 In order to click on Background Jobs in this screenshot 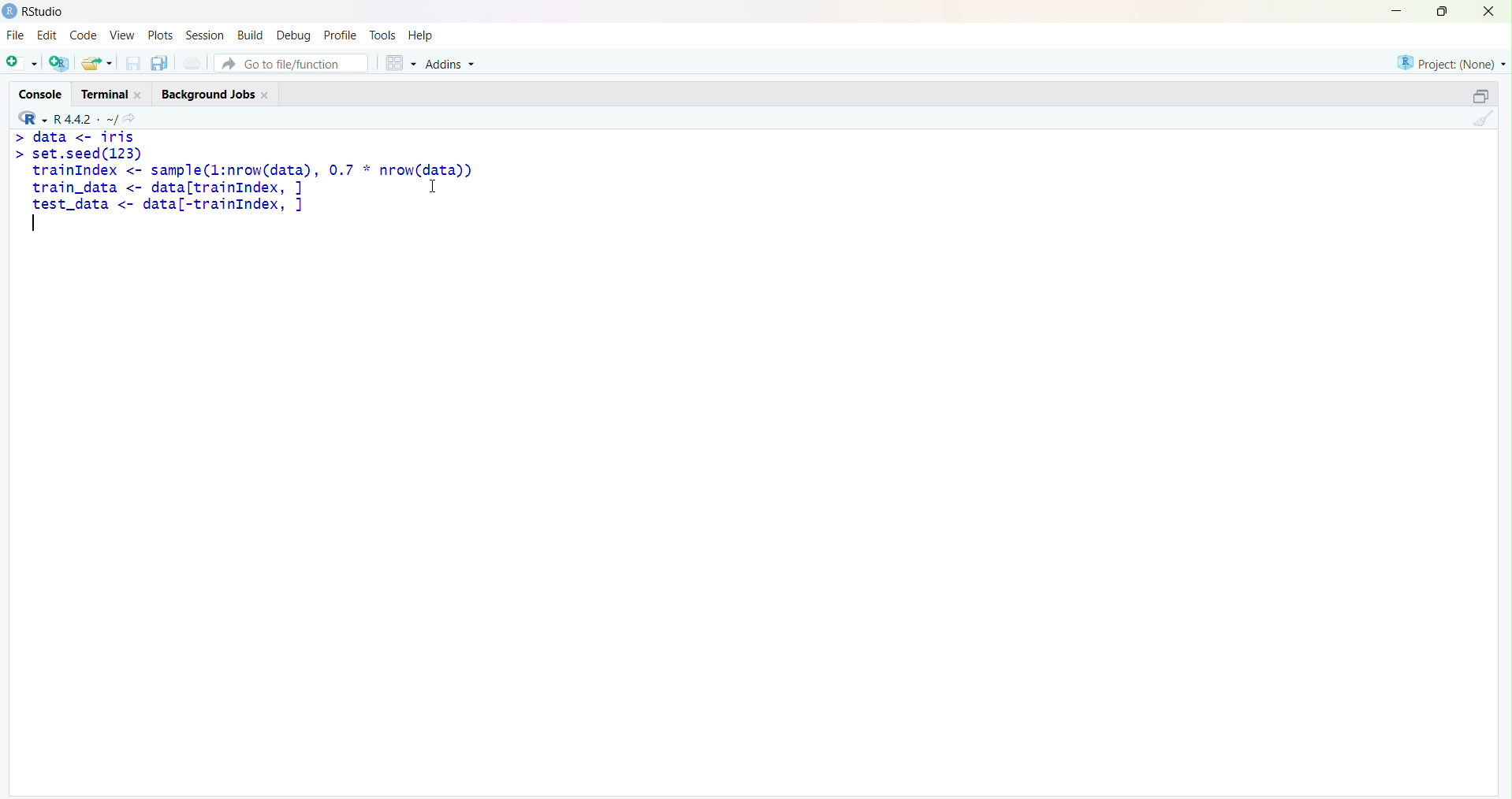, I will do `click(215, 93)`.